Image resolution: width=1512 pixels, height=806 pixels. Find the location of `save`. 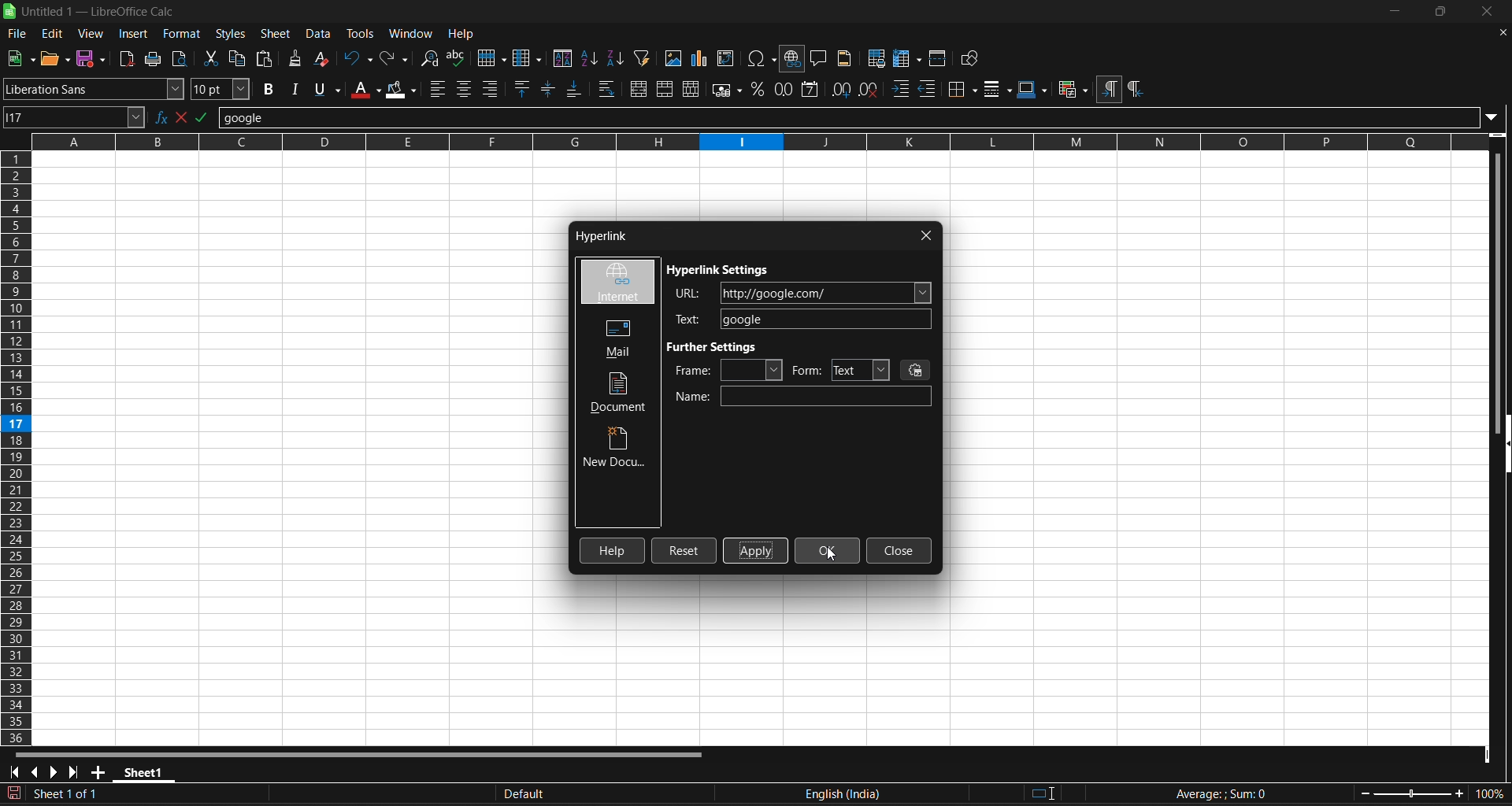

save is located at coordinates (20, 59).